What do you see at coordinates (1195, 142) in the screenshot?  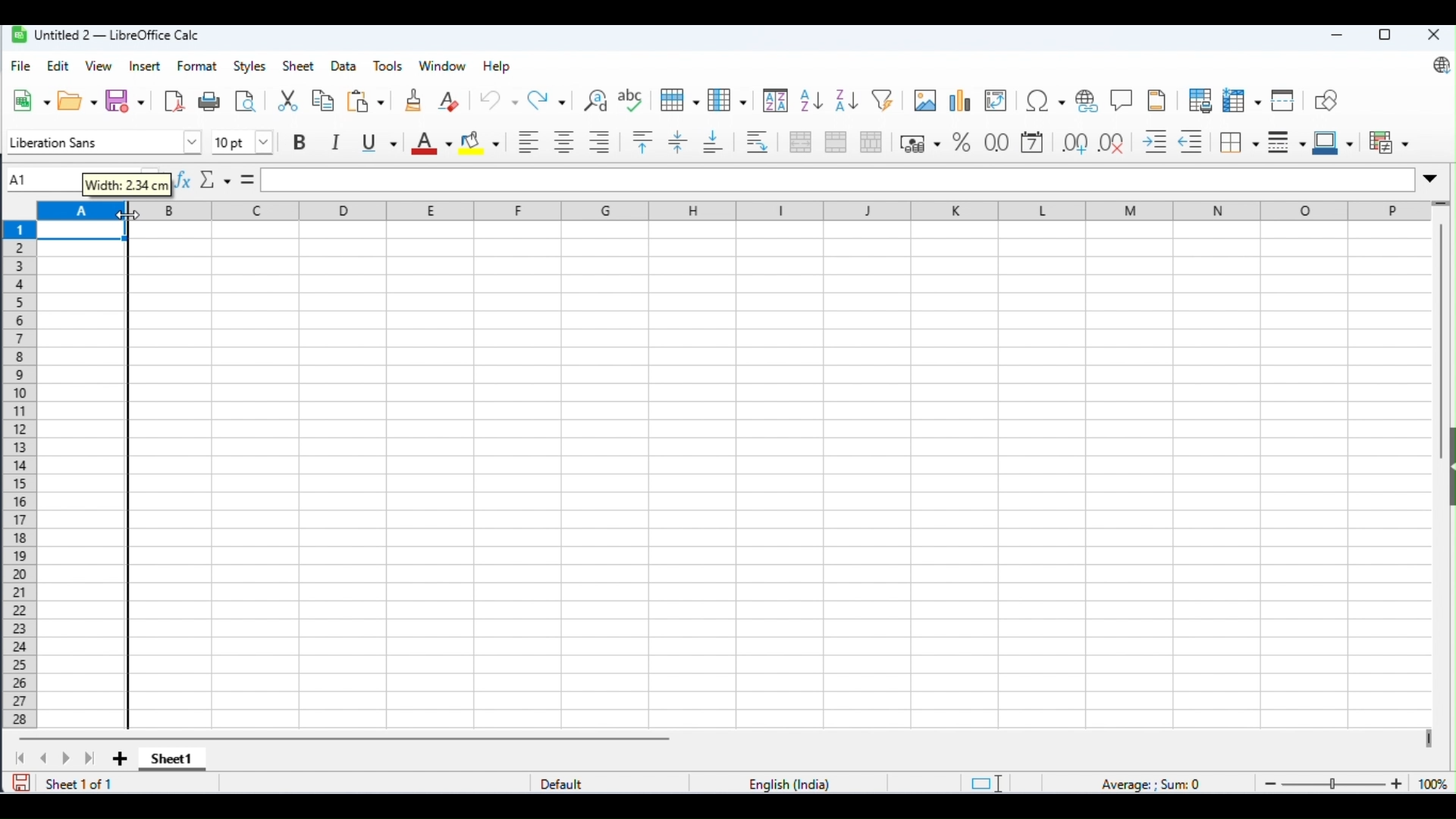 I see `decrease indent` at bounding box center [1195, 142].